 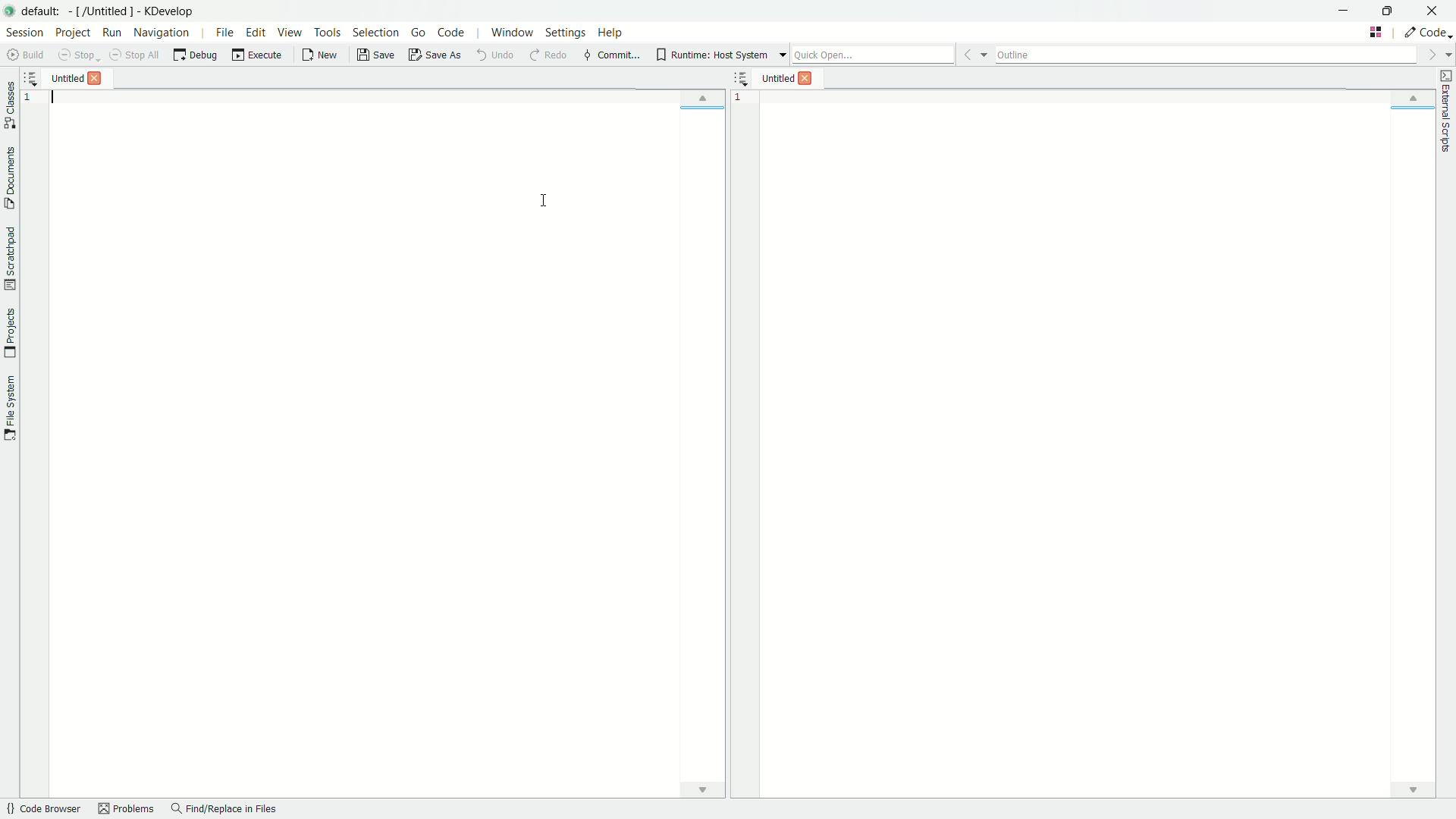 What do you see at coordinates (77, 54) in the screenshot?
I see `stop` at bounding box center [77, 54].